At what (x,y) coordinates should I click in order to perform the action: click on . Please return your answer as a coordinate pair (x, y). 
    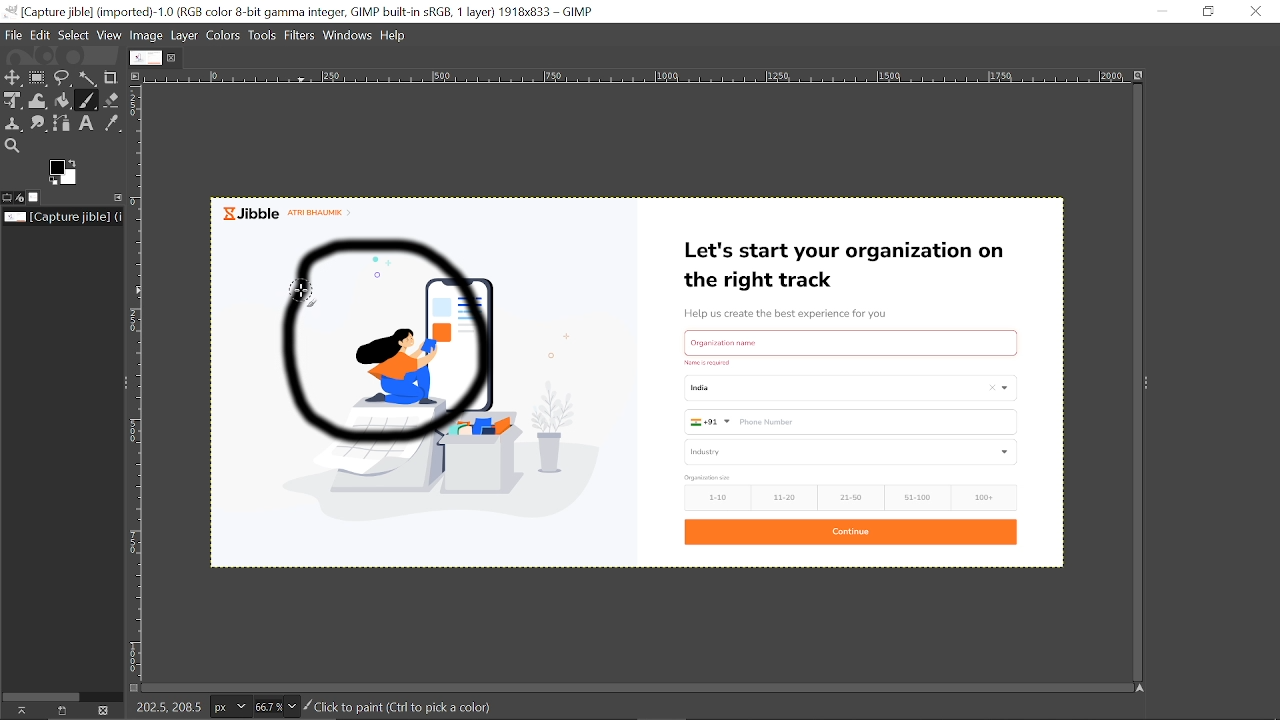
    Looking at the image, I should click on (1208, 13).